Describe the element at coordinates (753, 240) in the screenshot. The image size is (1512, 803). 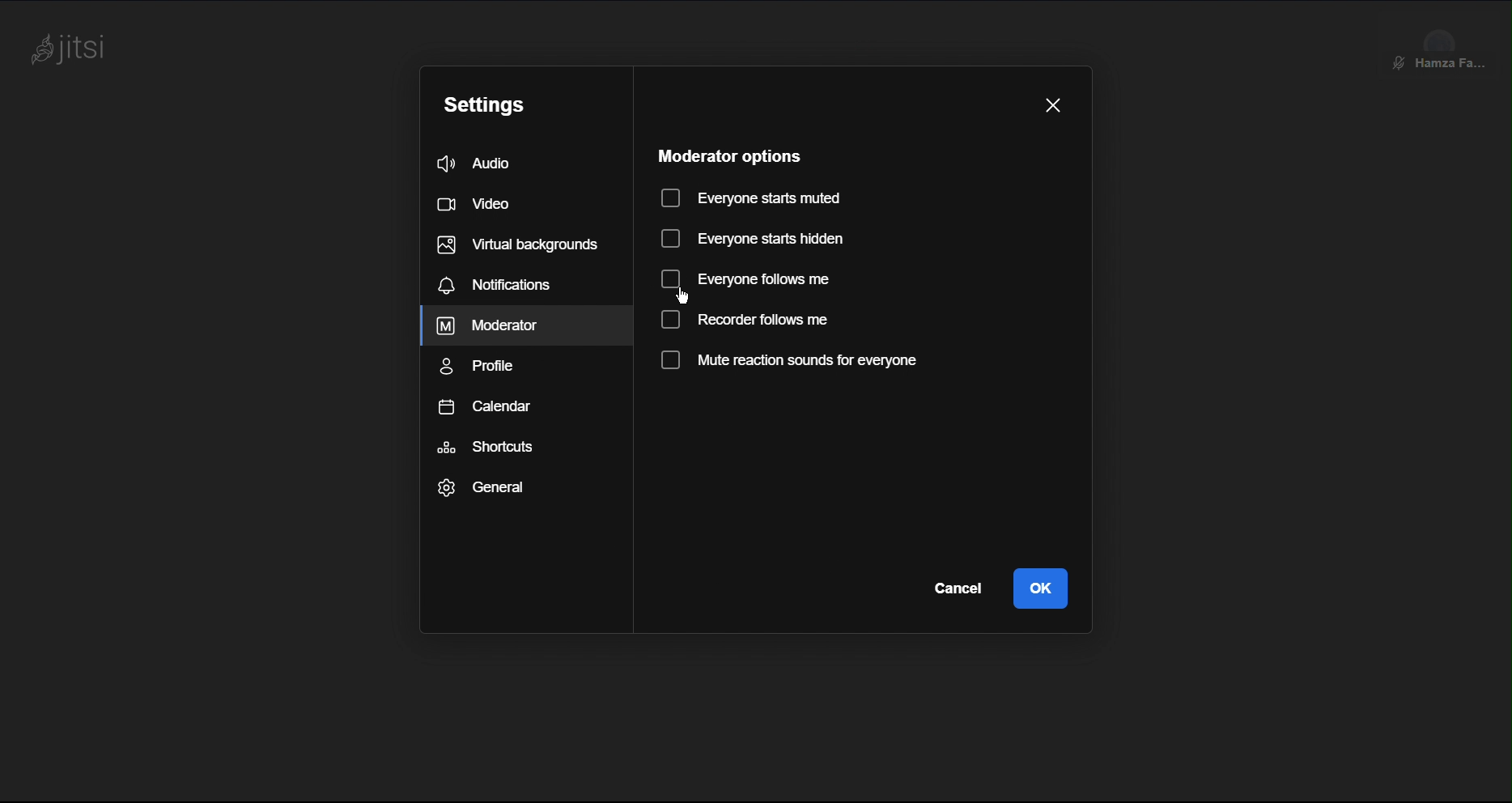
I see `Everyone starts hidden` at that location.